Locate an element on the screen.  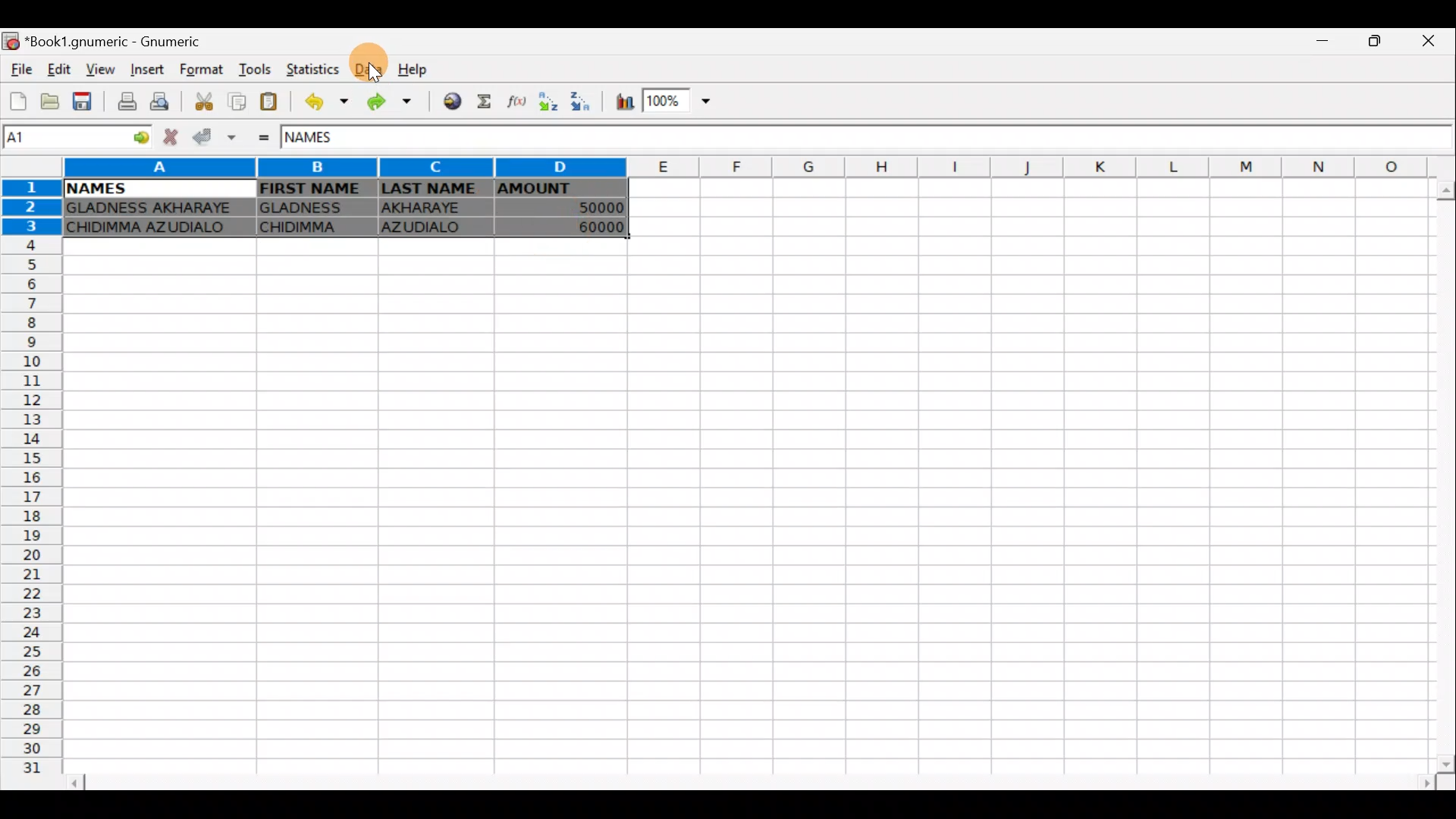
Edit is located at coordinates (61, 71).